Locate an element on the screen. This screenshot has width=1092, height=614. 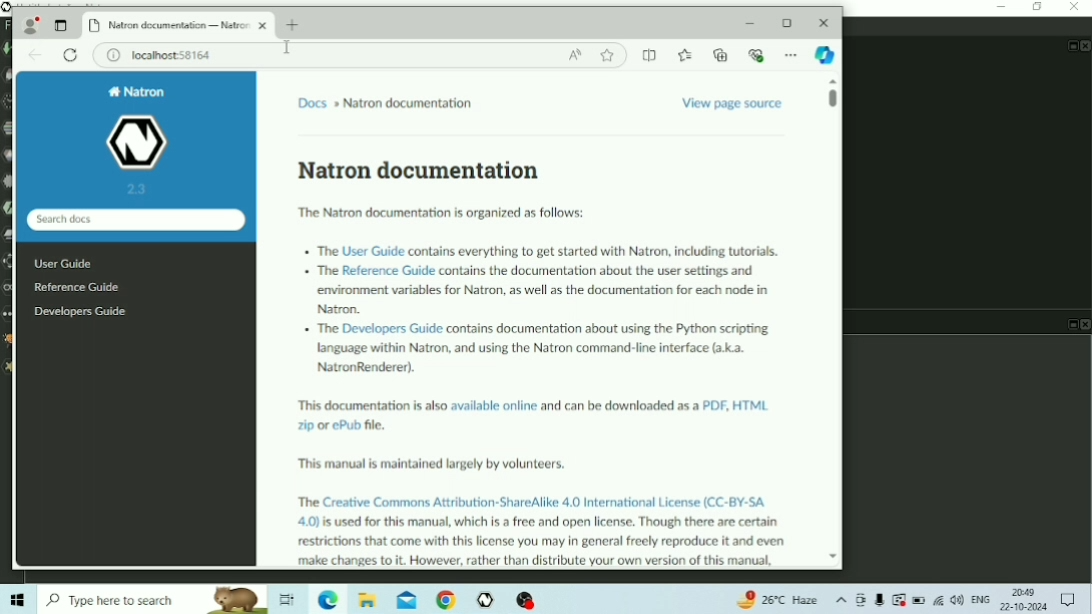
Close is located at coordinates (824, 22).